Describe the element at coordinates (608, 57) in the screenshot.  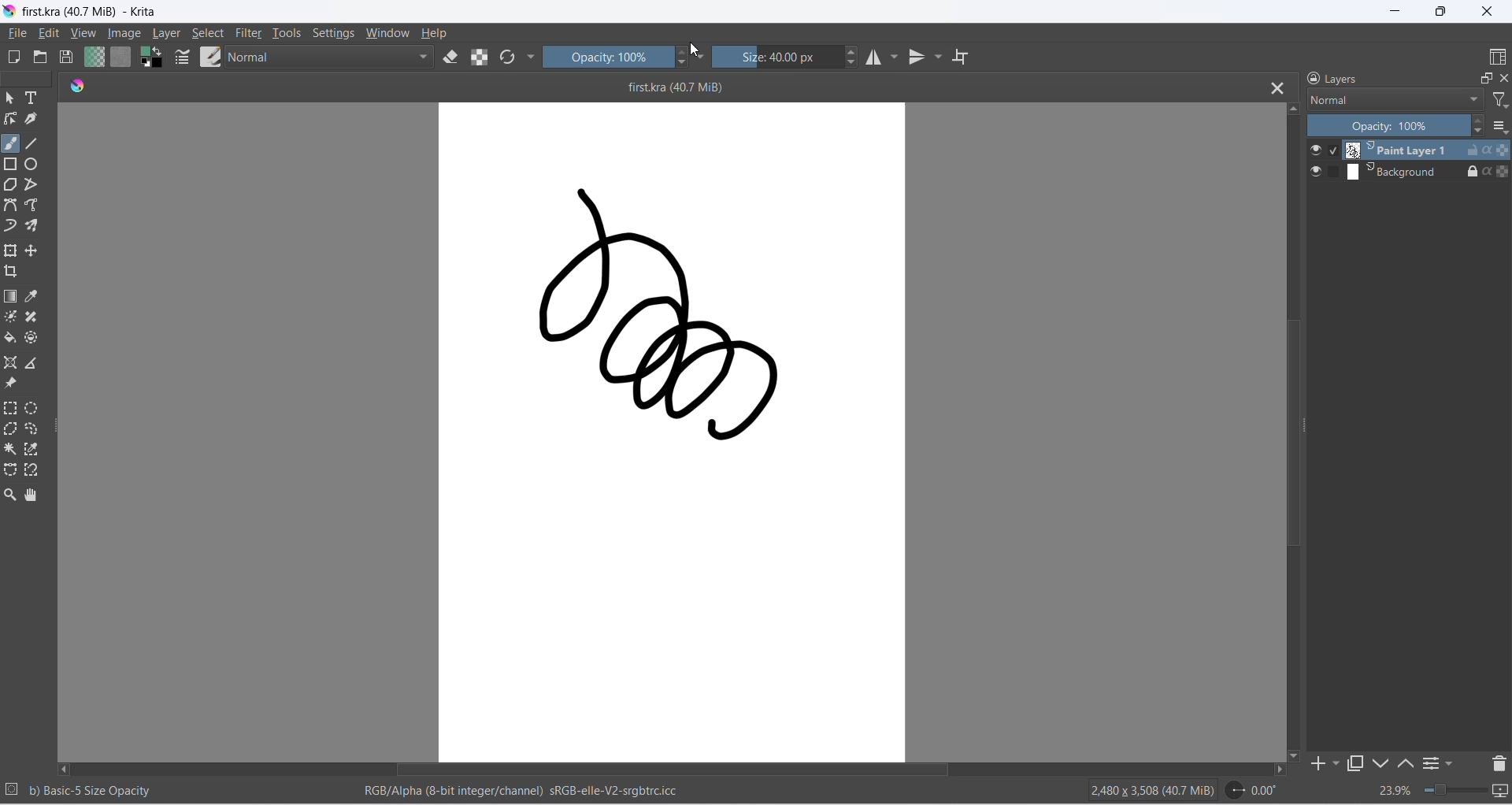
I see `opacity` at that location.